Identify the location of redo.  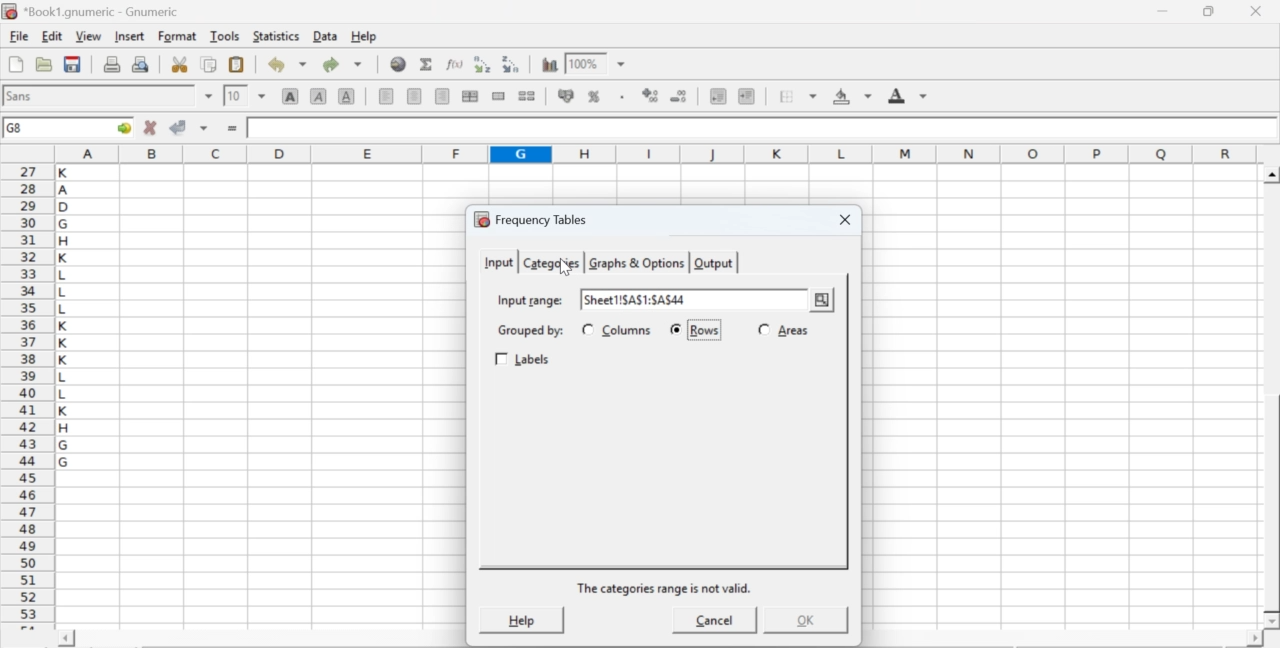
(342, 64).